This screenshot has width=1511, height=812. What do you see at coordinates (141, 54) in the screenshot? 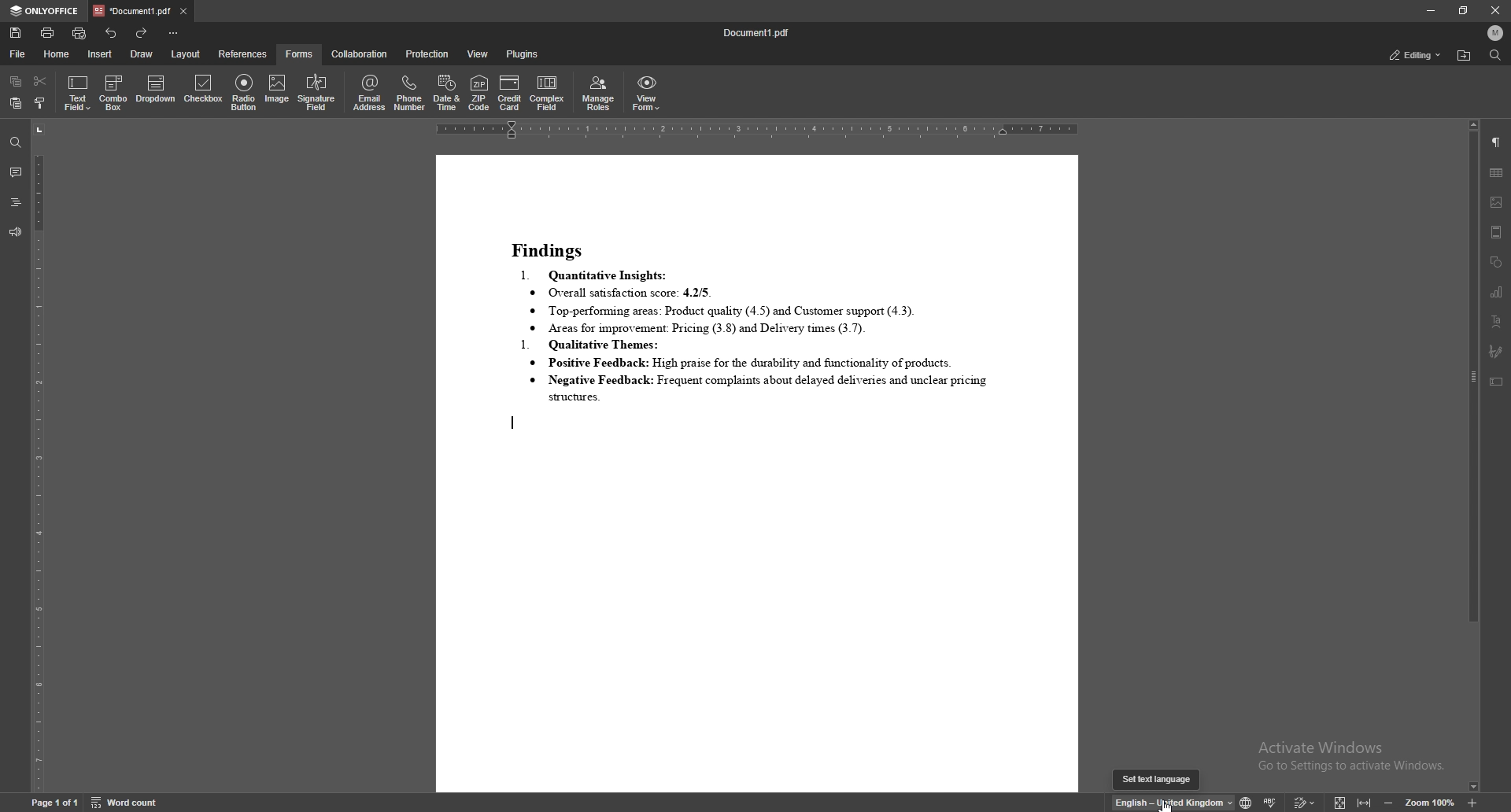
I see `draw` at bounding box center [141, 54].